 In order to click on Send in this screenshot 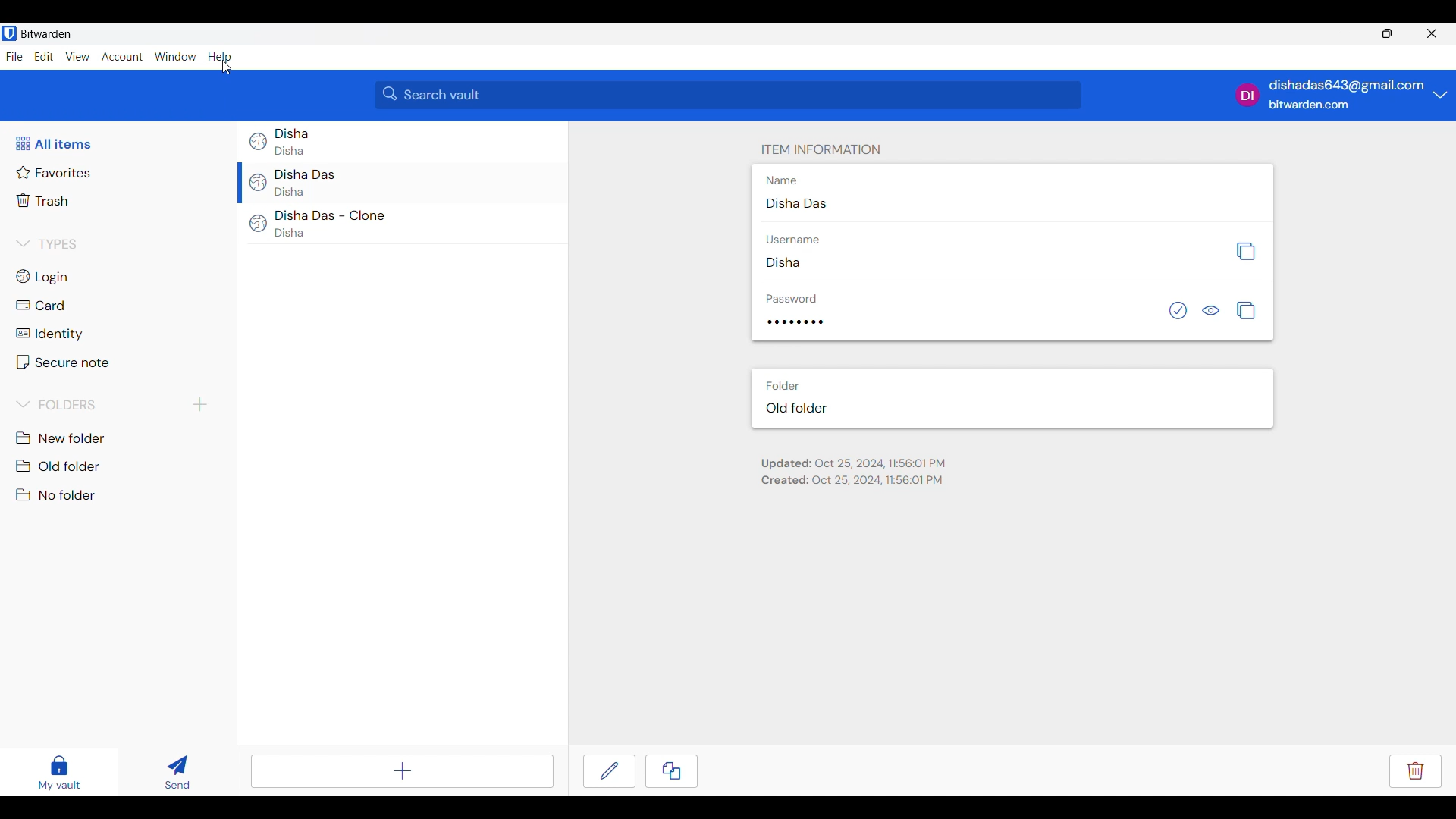, I will do `click(178, 772)`.